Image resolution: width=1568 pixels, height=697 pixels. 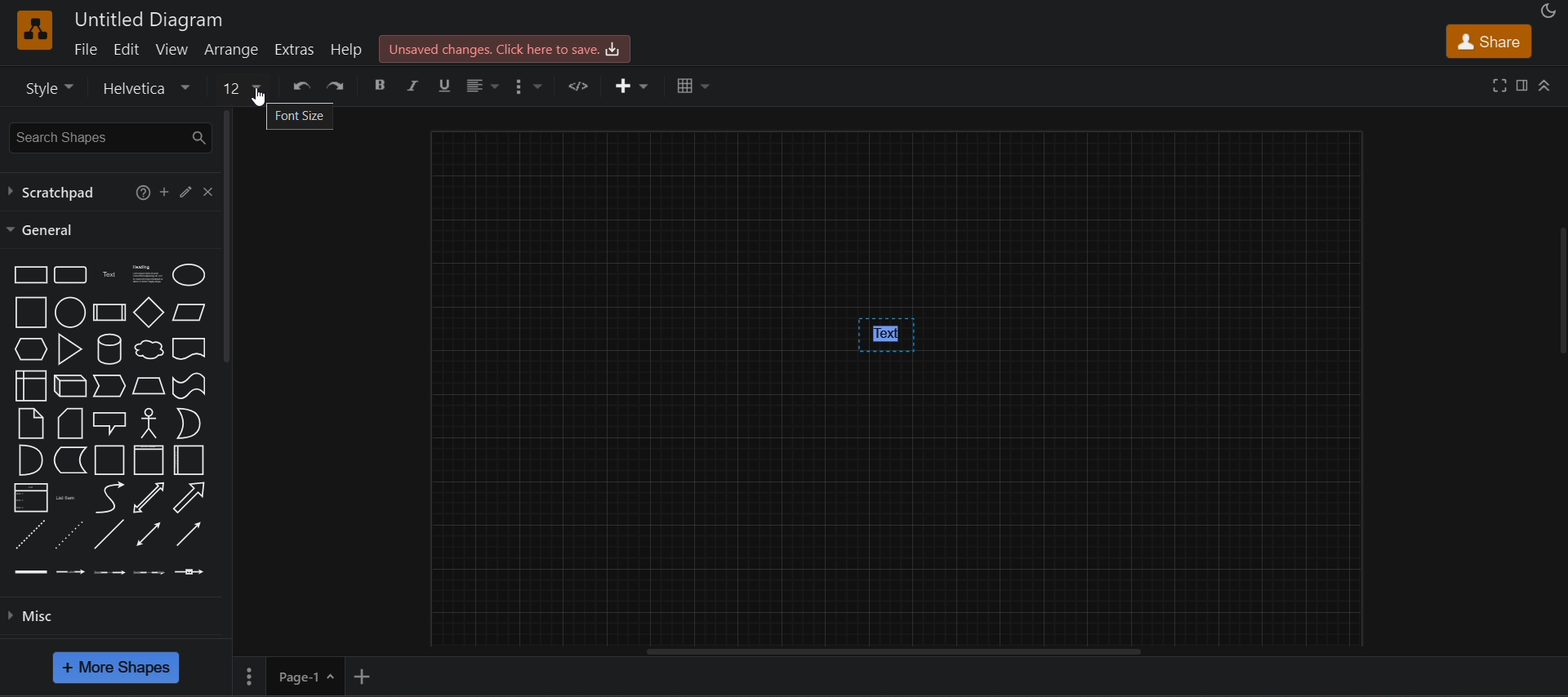 I want to click on general, so click(x=42, y=230).